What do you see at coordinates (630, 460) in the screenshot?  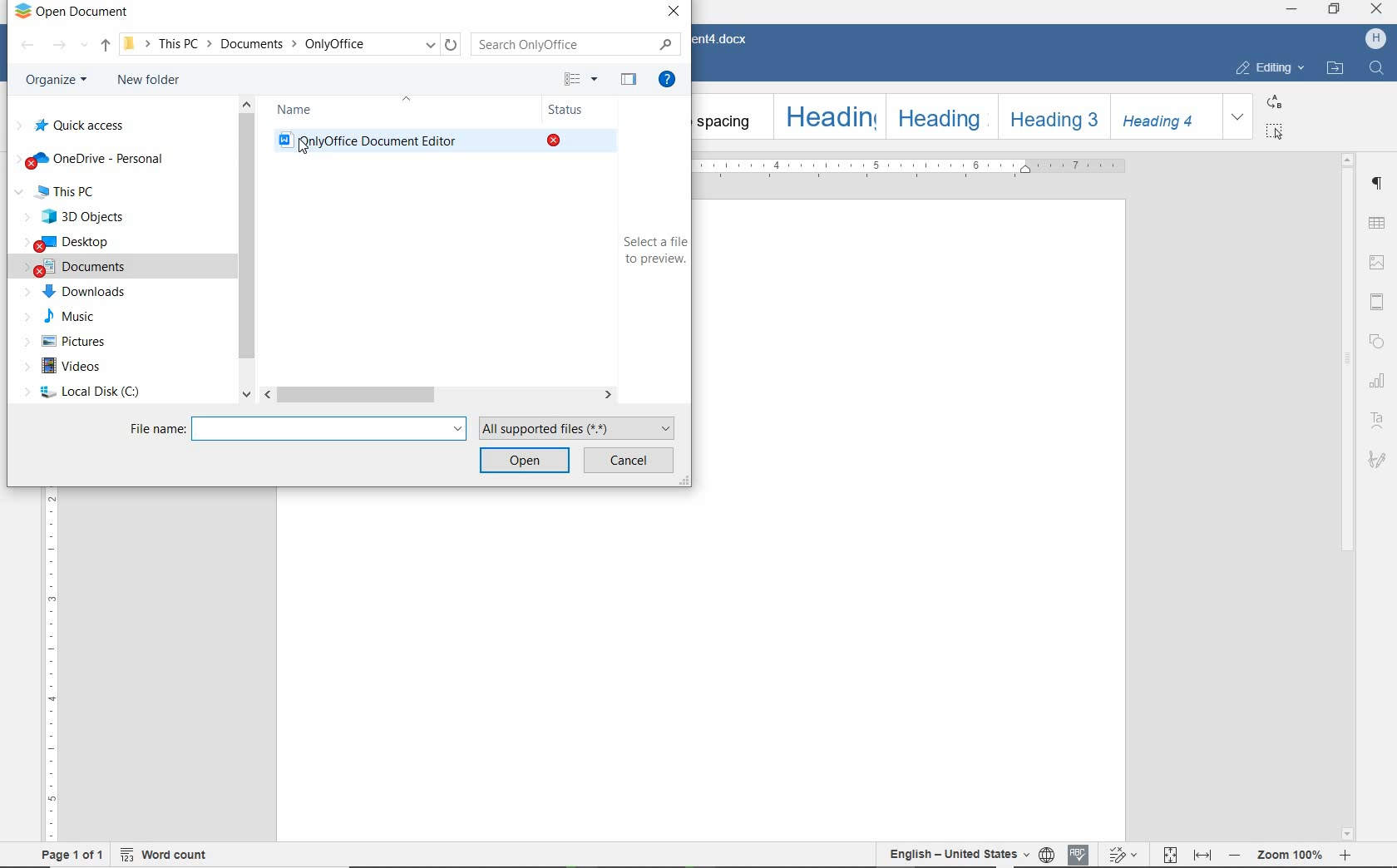 I see `cancel` at bounding box center [630, 460].